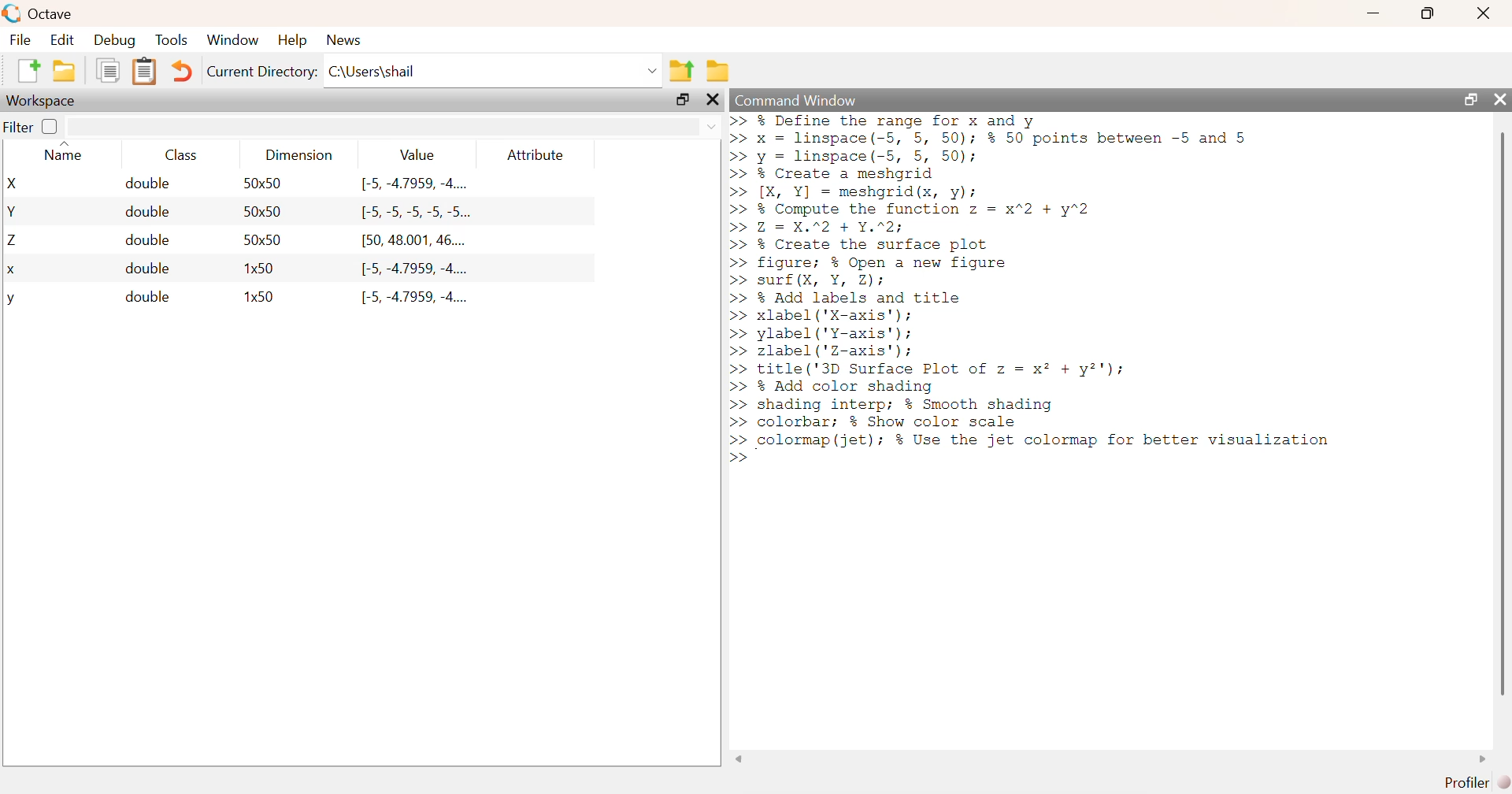 This screenshot has width=1512, height=794. I want to click on close, so click(711, 99).